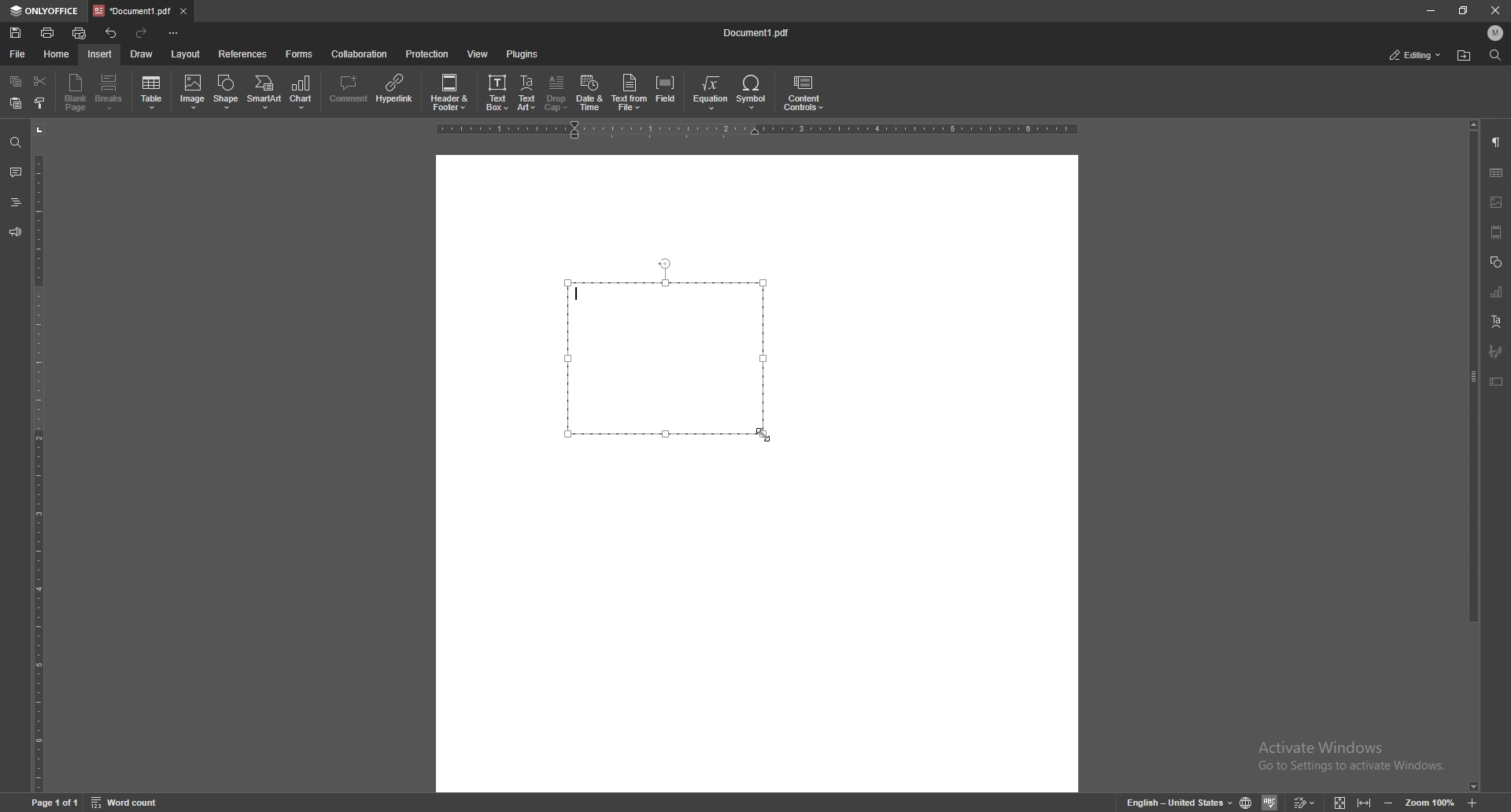  What do you see at coordinates (1496, 350) in the screenshot?
I see `signature field` at bounding box center [1496, 350].